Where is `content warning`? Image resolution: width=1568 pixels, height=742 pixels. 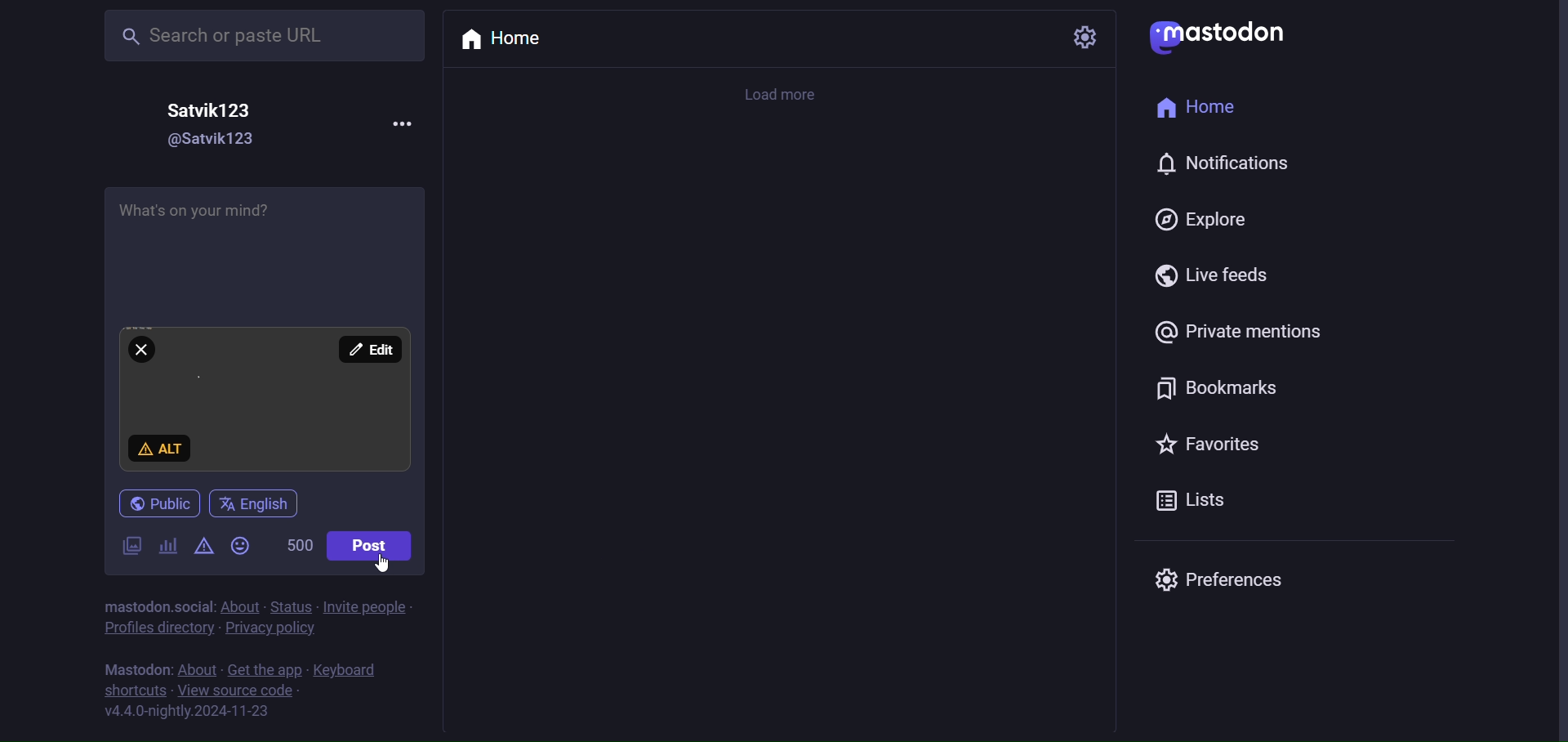 content warning is located at coordinates (204, 543).